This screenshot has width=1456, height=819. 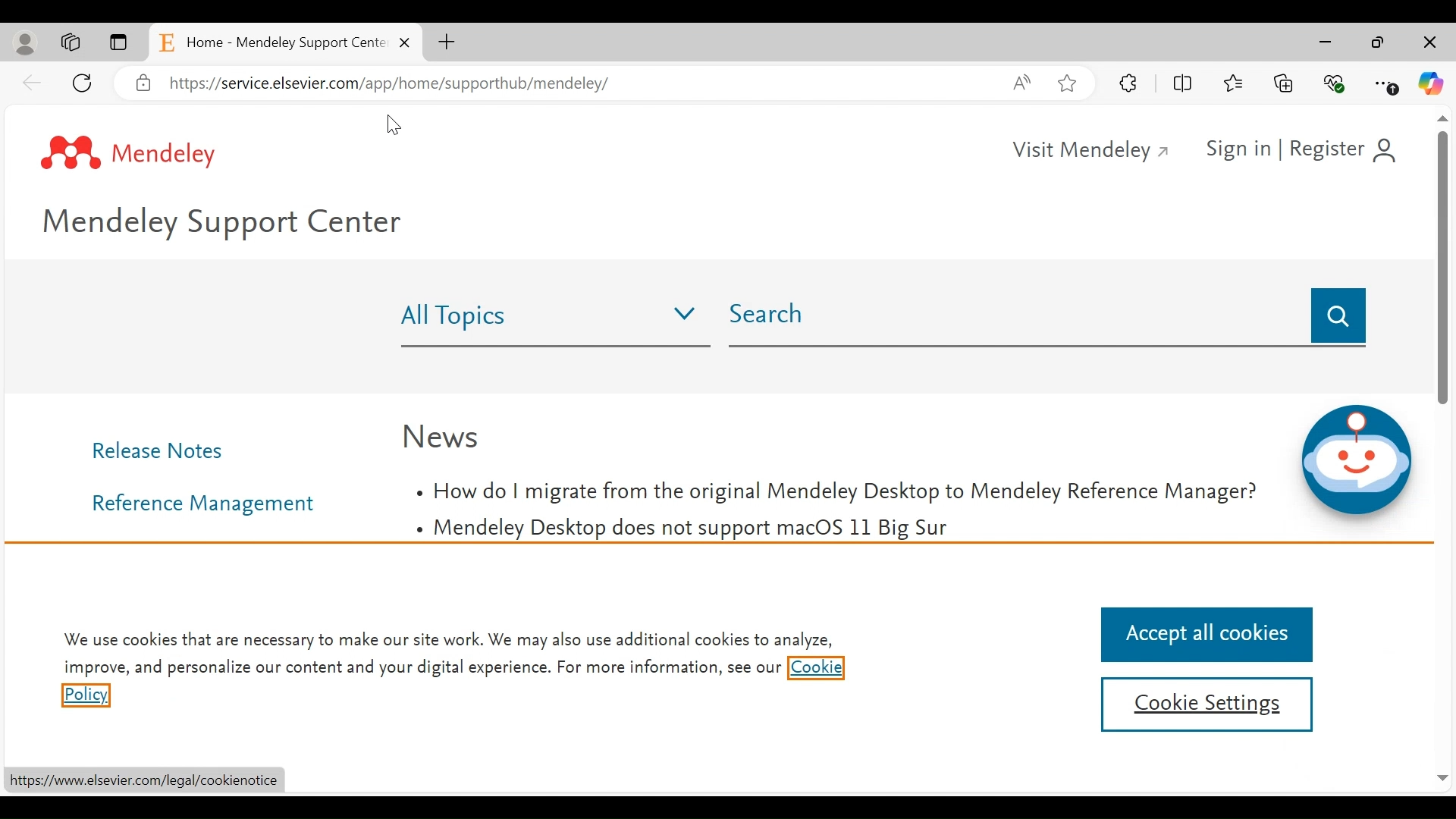 I want to click on Vertical Scroll bar, so click(x=1441, y=266).